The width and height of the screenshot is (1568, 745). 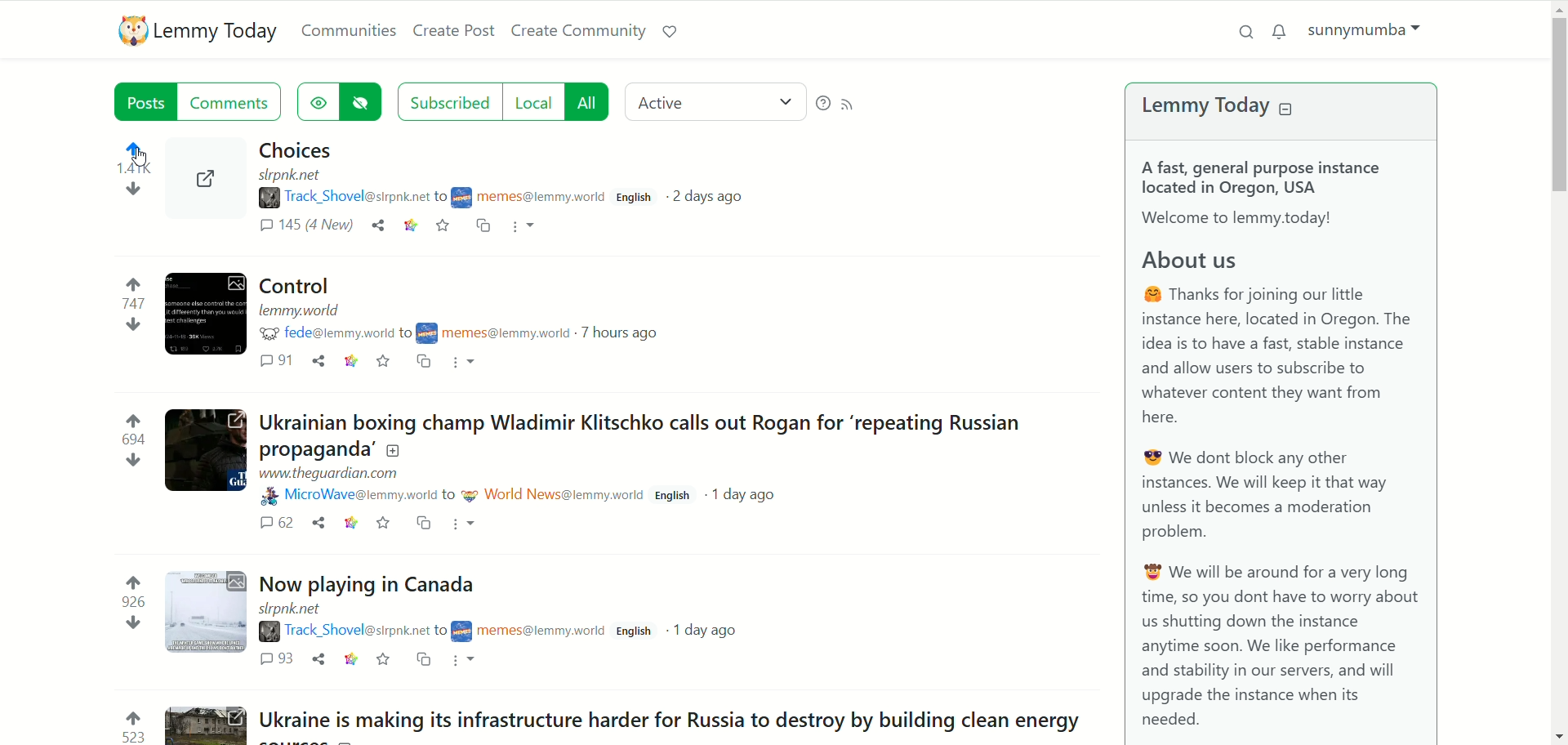 I want to click on posts, so click(x=140, y=100).